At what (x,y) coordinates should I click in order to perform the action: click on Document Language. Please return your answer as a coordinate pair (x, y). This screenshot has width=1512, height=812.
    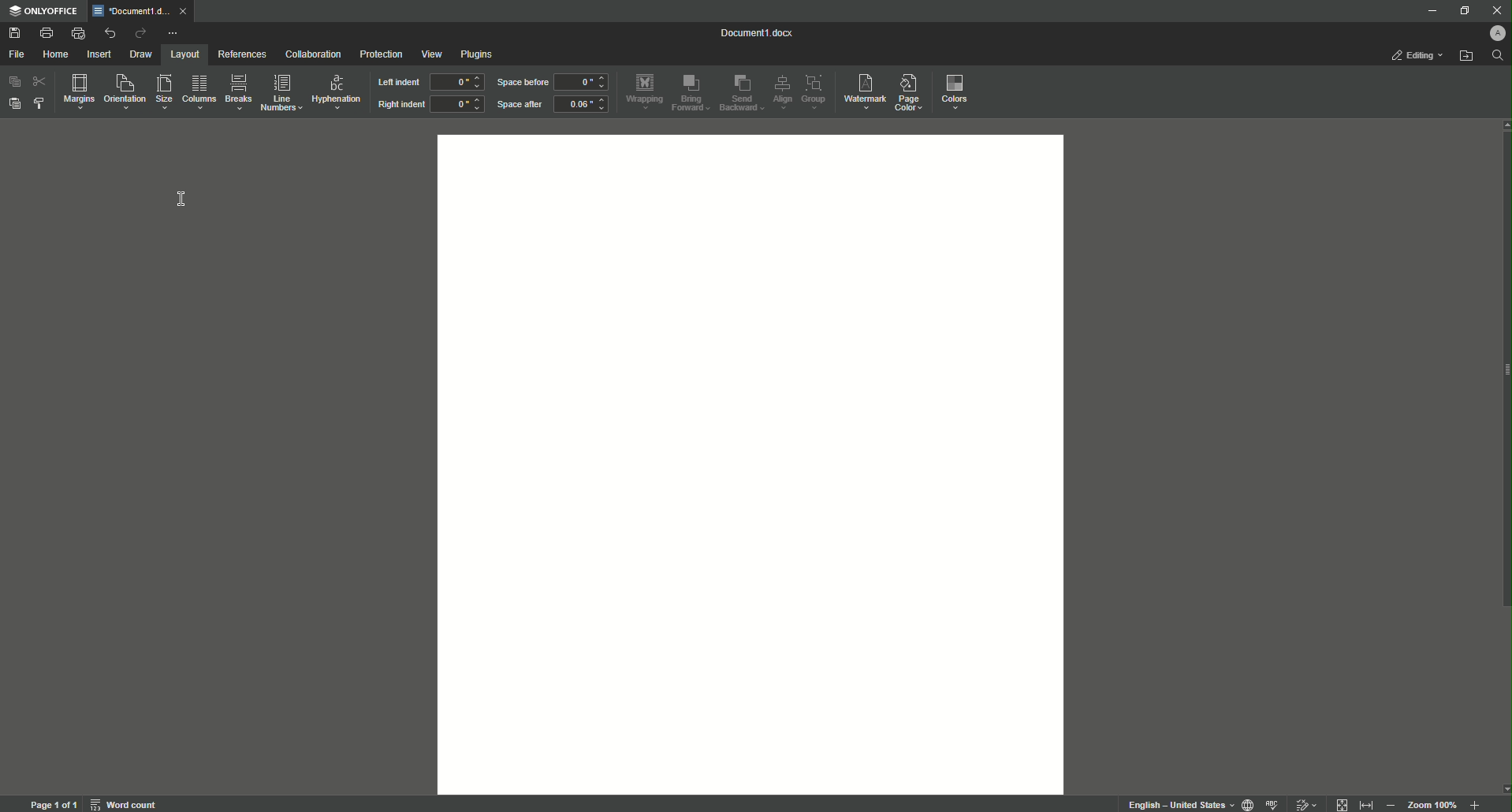
    Looking at the image, I should click on (1245, 803).